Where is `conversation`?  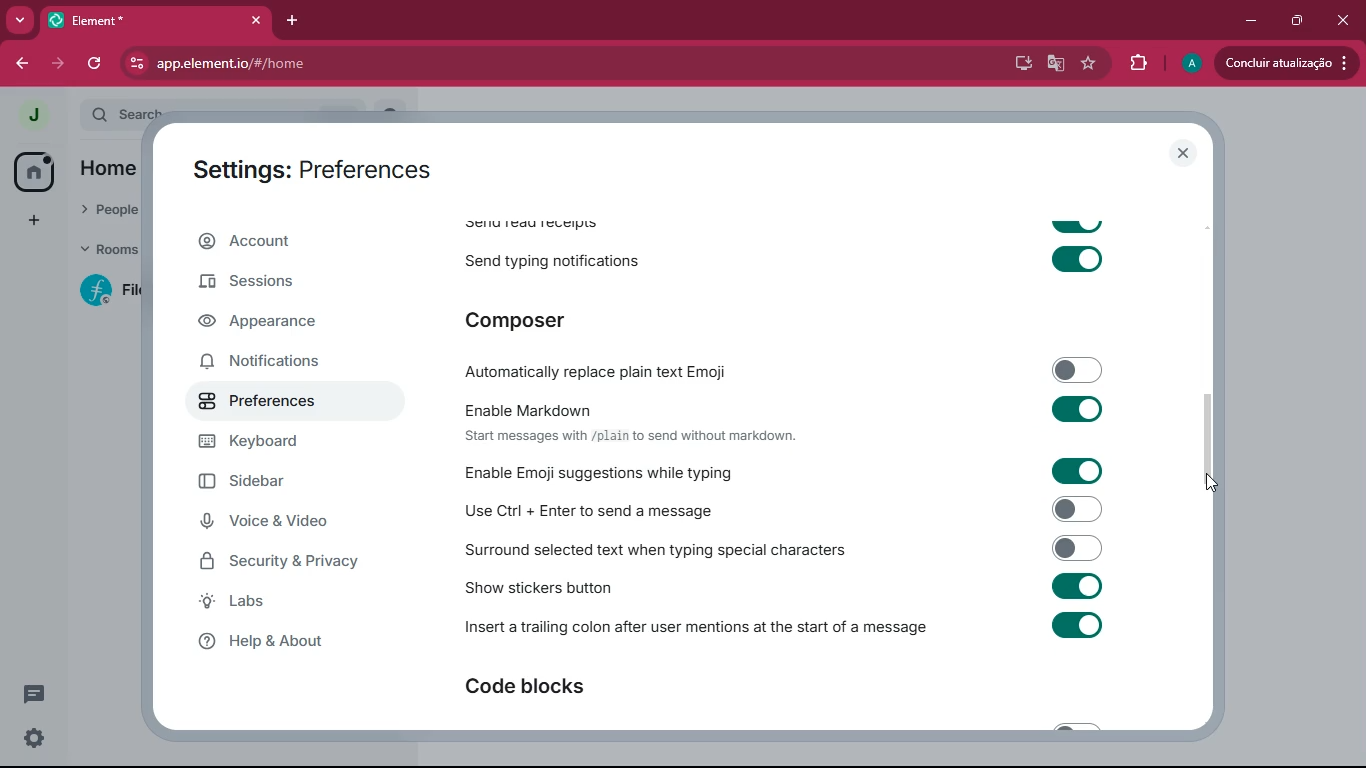
conversation is located at coordinates (38, 693).